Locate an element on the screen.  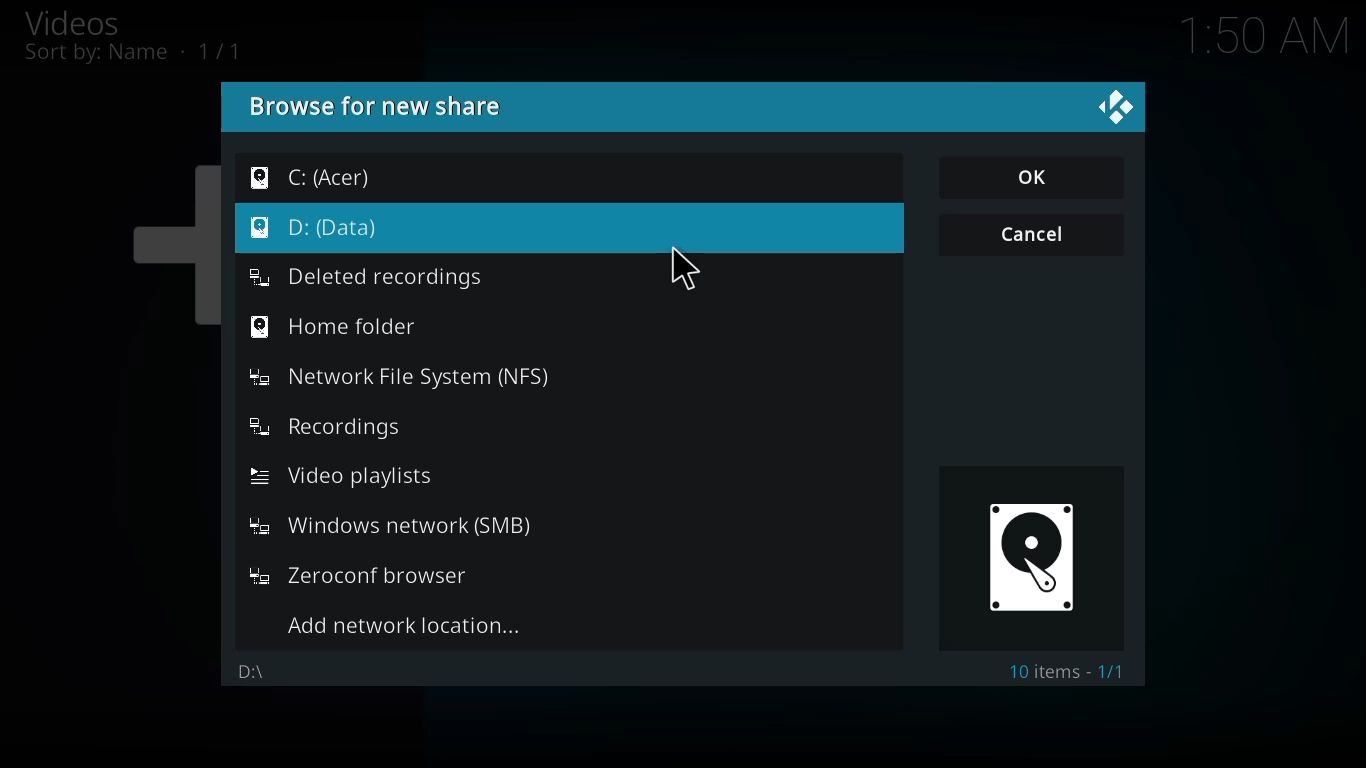
videos is located at coordinates (71, 21).